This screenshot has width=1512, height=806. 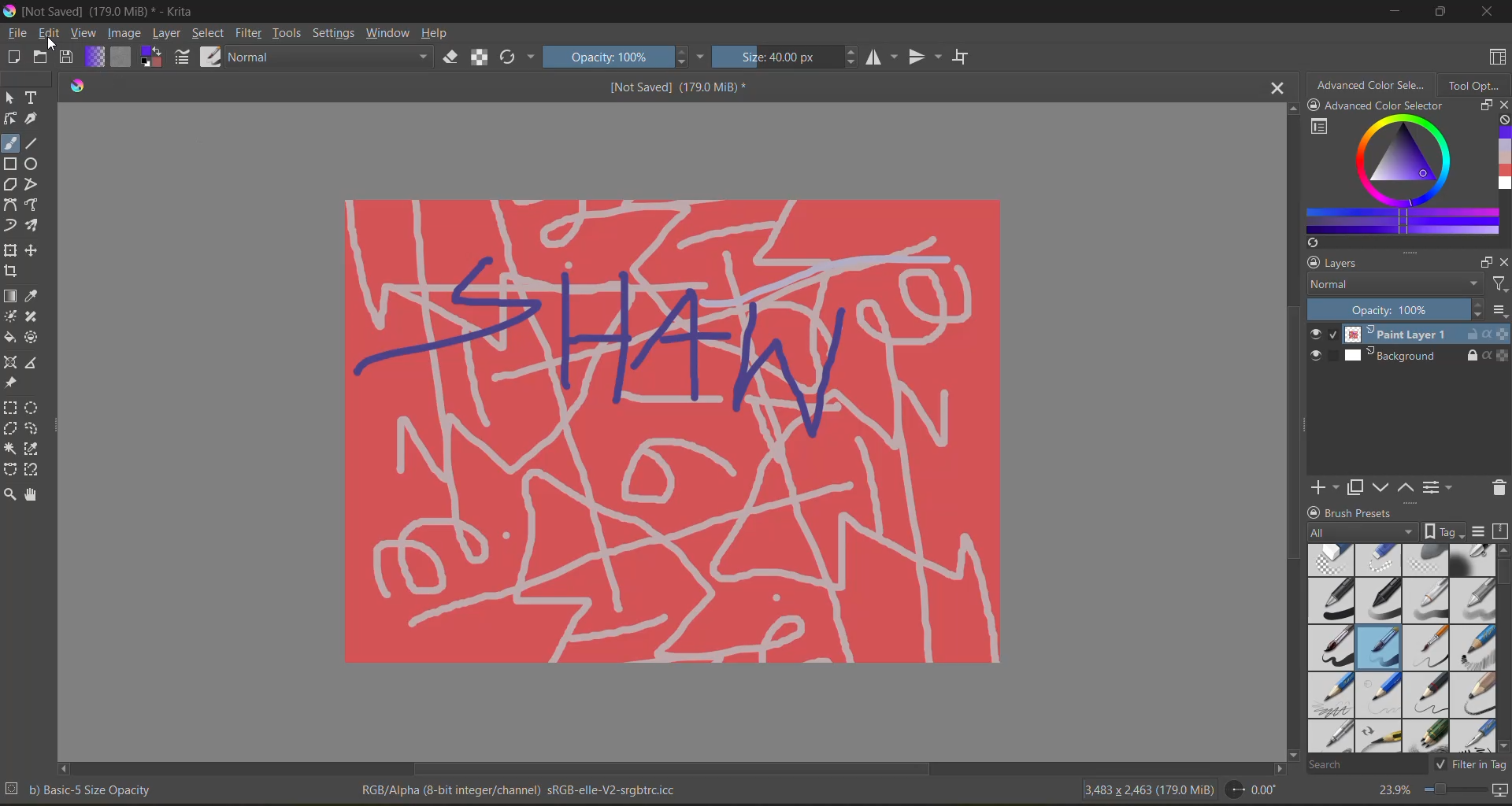 What do you see at coordinates (80, 789) in the screenshot?
I see `b) Basic-5 Size Opacity` at bounding box center [80, 789].